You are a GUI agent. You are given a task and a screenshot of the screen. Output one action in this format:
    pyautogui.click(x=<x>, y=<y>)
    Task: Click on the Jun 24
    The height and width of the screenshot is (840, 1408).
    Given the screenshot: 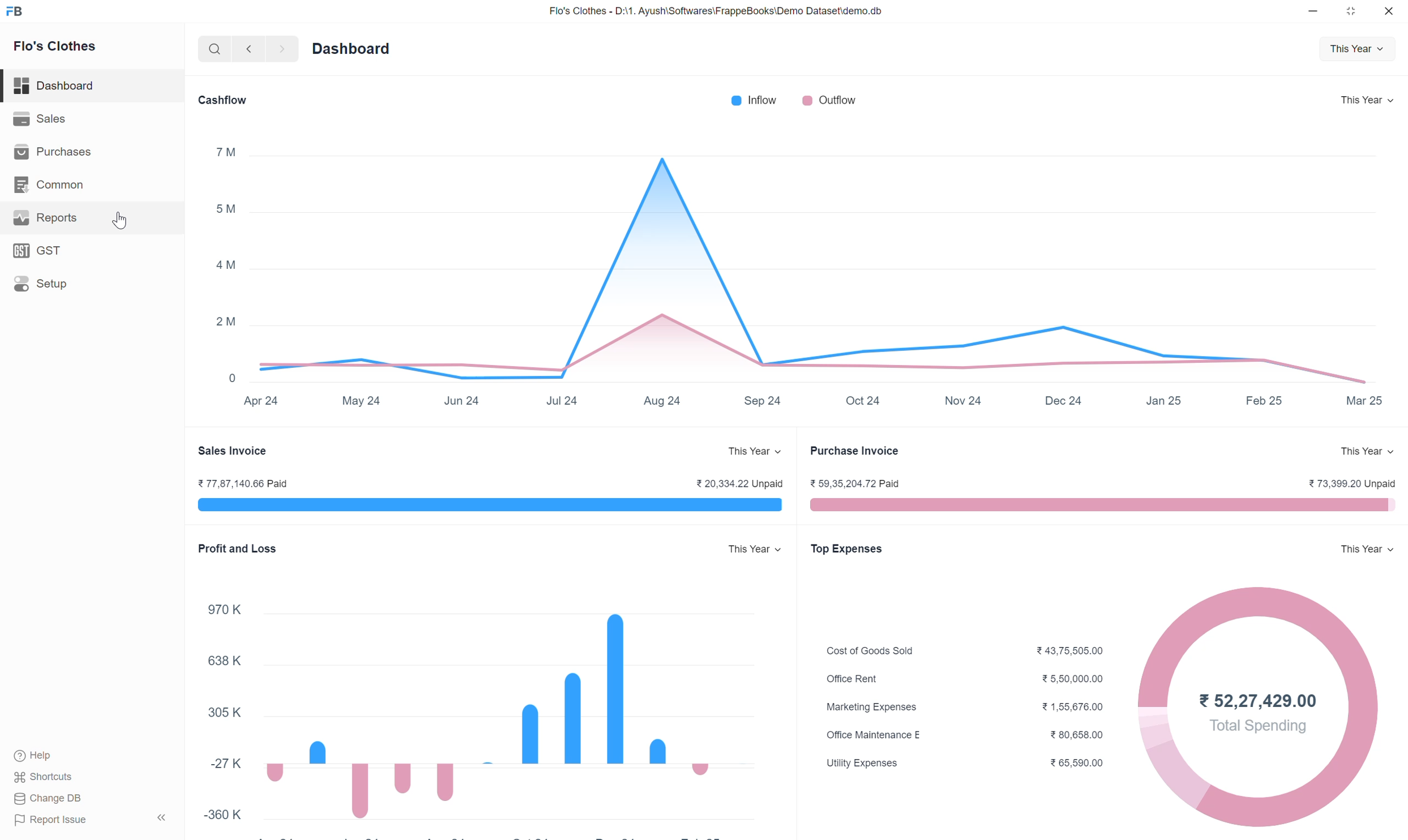 What is the action you would take?
    pyautogui.click(x=459, y=398)
    